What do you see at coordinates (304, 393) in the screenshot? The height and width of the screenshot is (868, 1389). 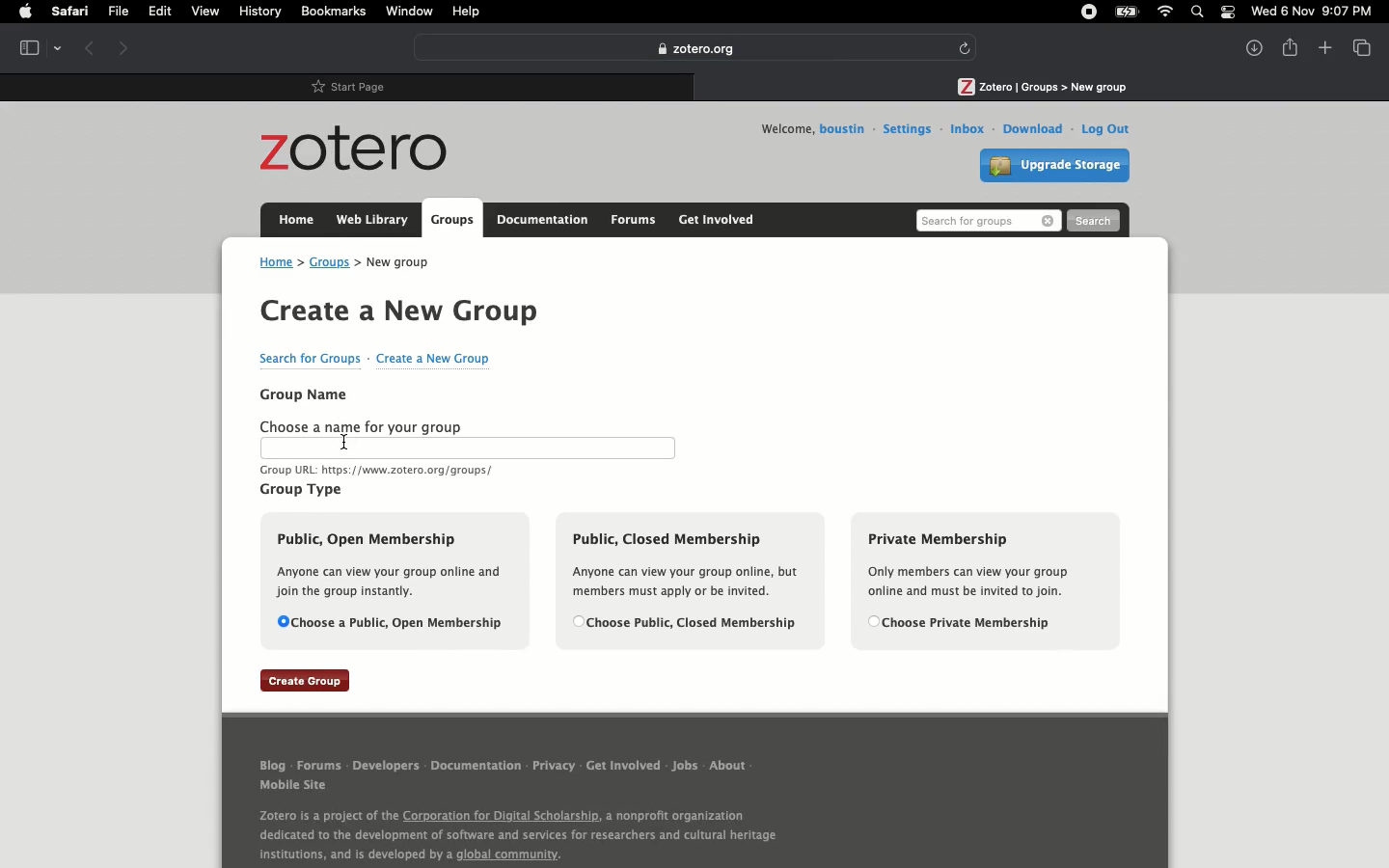 I see `Group name` at bounding box center [304, 393].